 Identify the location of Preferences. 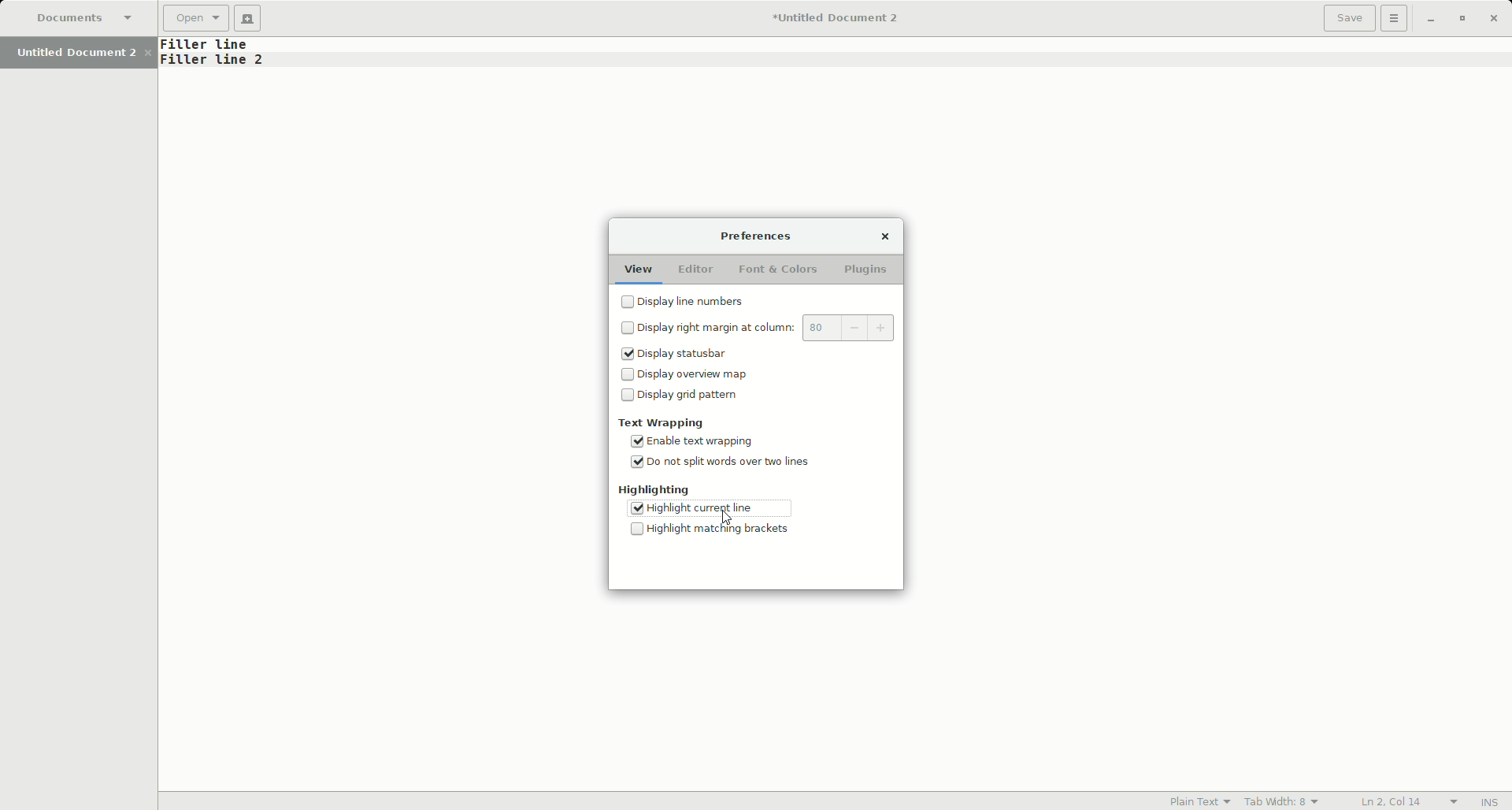
(758, 237).